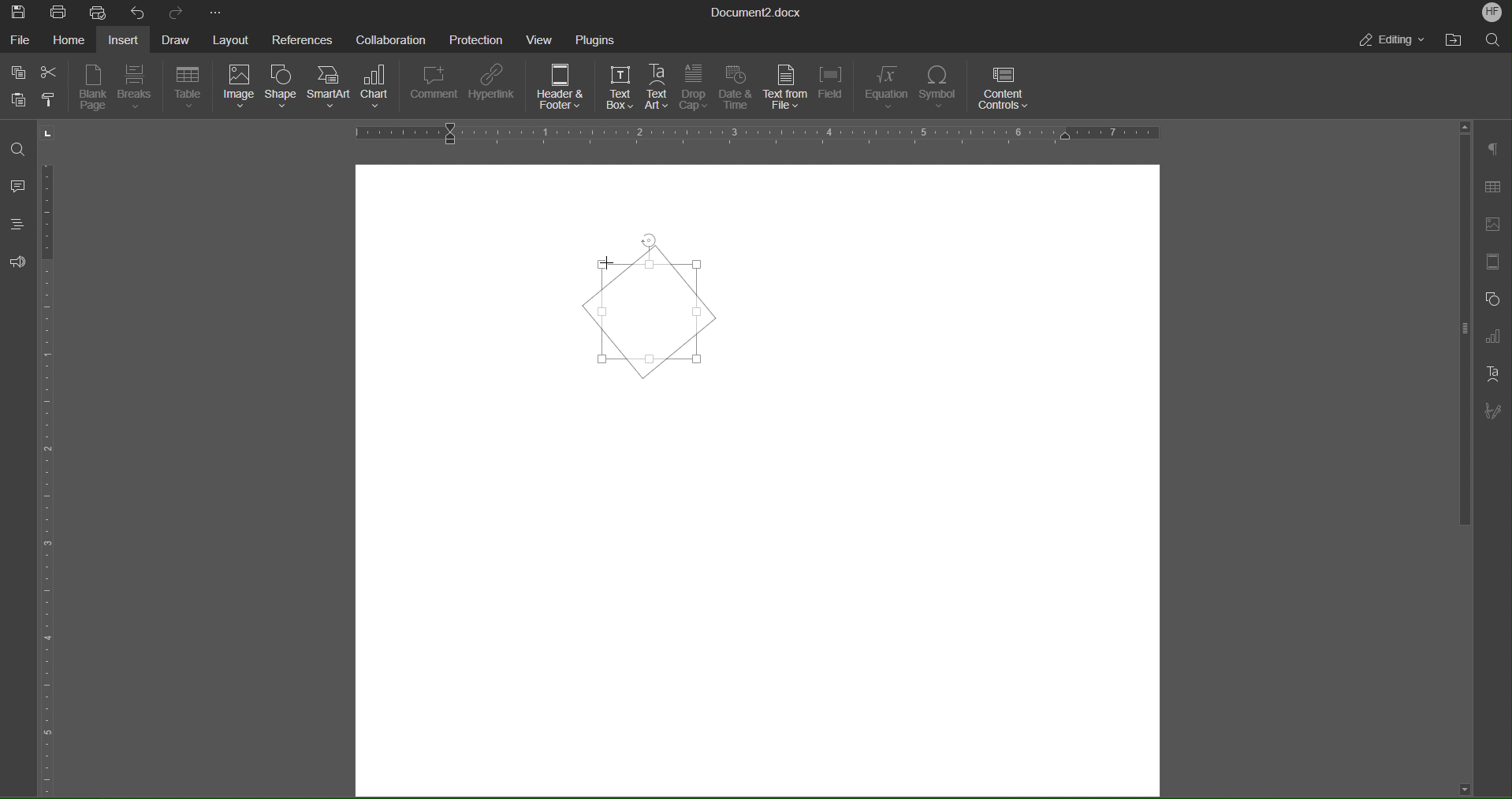 This screenshot has width=1512, height=799. What do you see at coordinates (20, 38) in the screenshot?
I see `File` at bounding box center [20, 38].